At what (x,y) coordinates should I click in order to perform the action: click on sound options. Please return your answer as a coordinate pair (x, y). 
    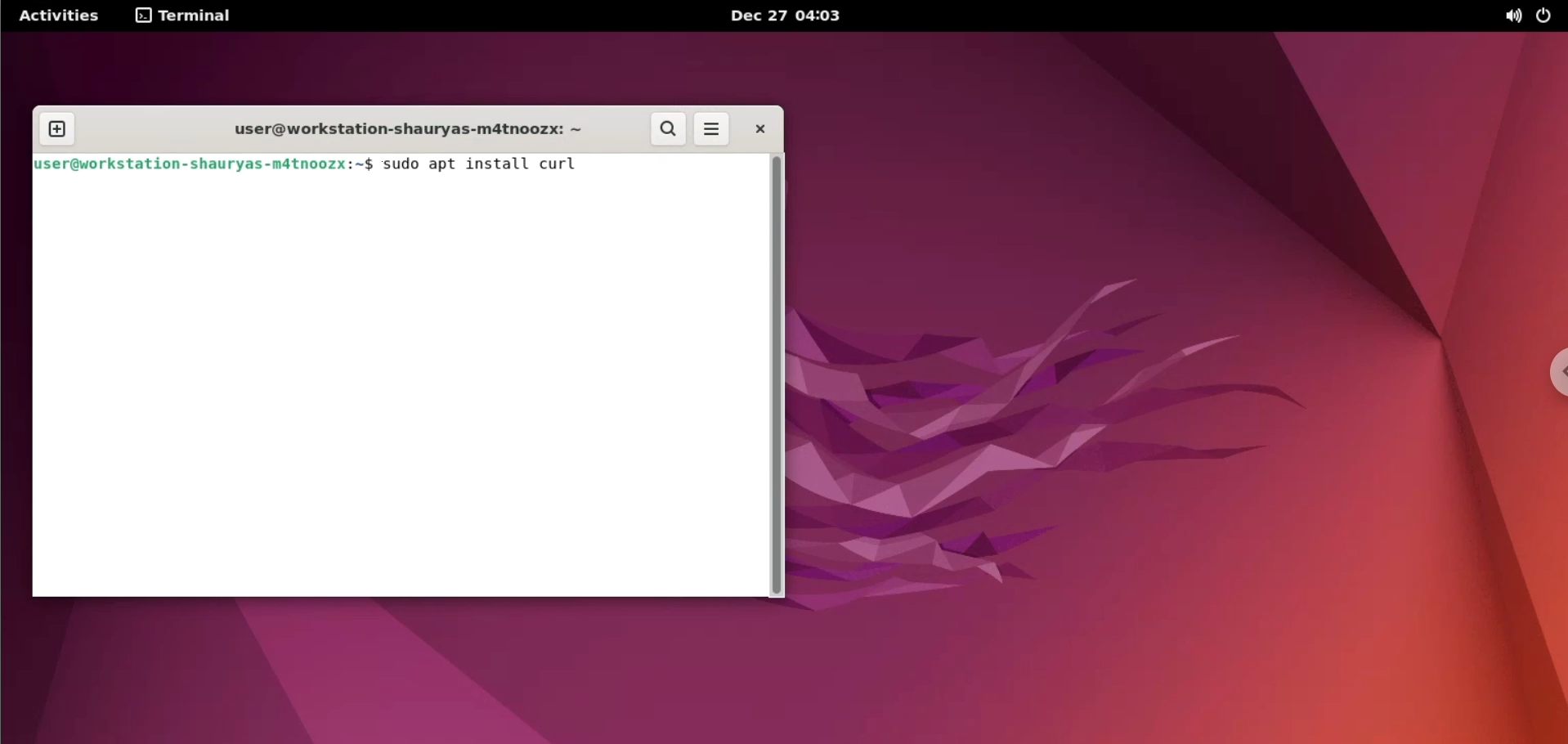
    Looking at the image, I should click on (1505, 16).